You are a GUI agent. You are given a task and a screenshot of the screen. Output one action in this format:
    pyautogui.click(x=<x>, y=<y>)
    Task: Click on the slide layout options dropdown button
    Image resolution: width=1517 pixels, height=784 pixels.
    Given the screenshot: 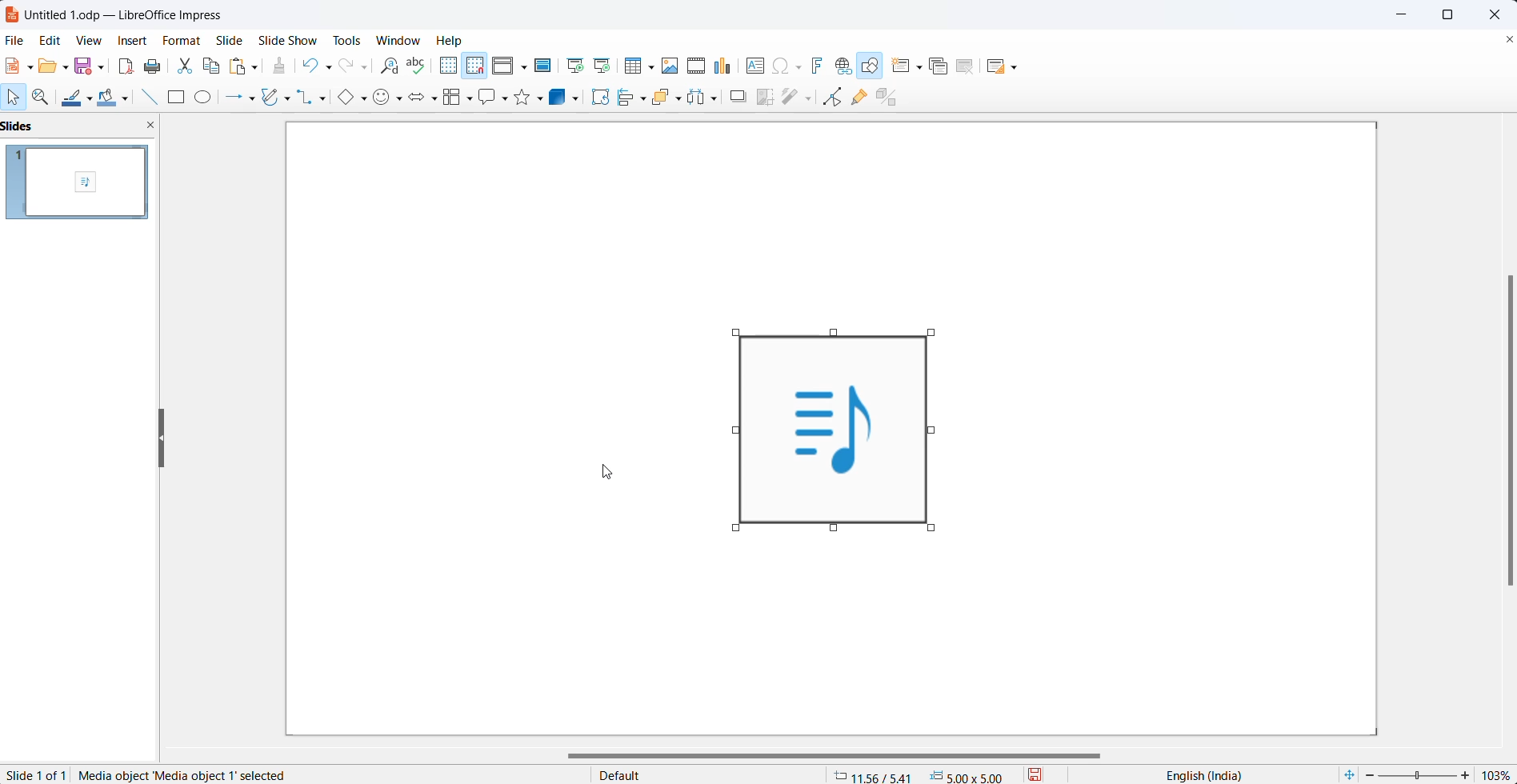 What is the action you would take?
    pyautogui.click(x=1016, y=68)
    